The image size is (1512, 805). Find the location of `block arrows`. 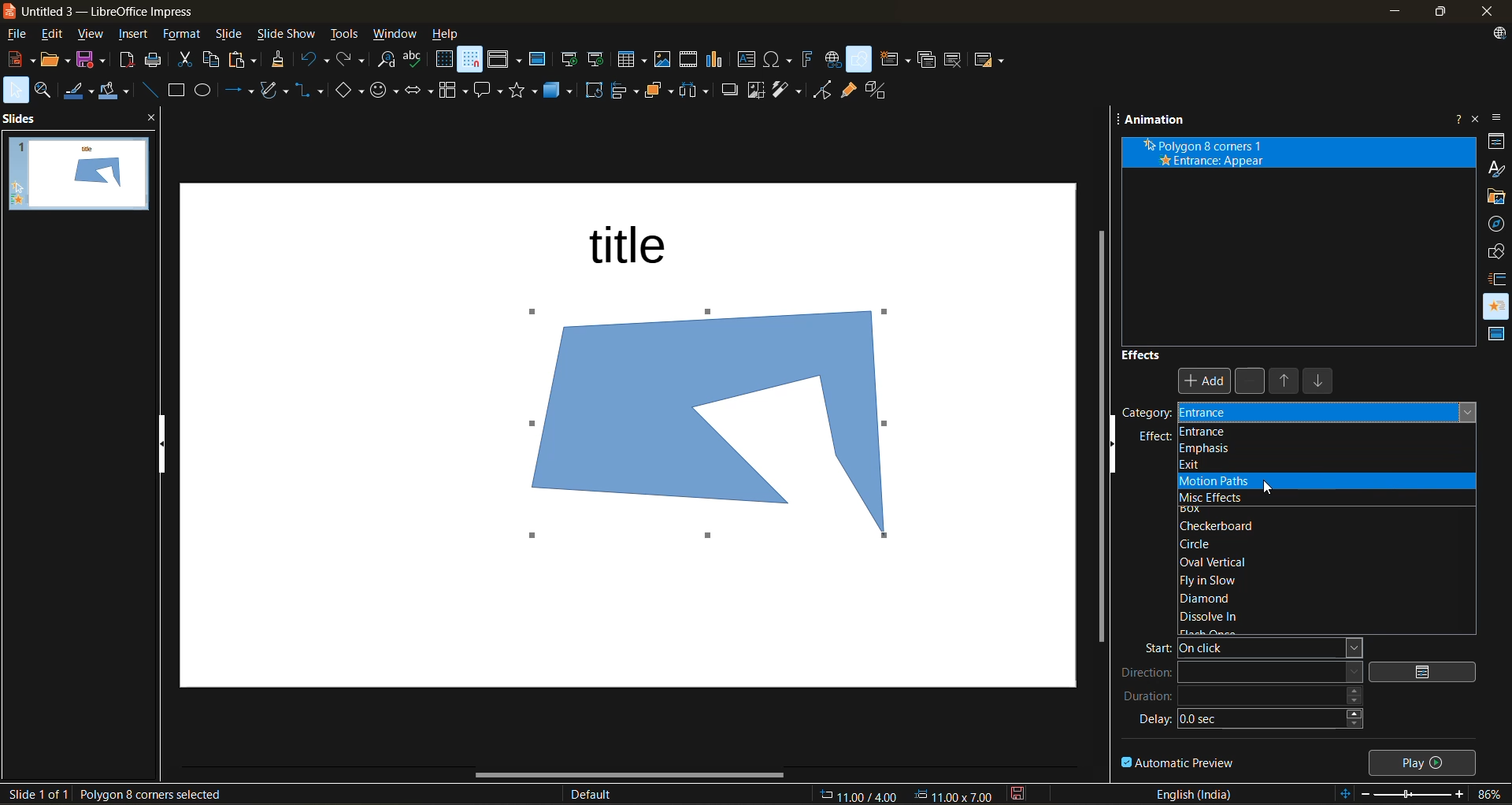

block arrows is located at coordinates (421, 92).